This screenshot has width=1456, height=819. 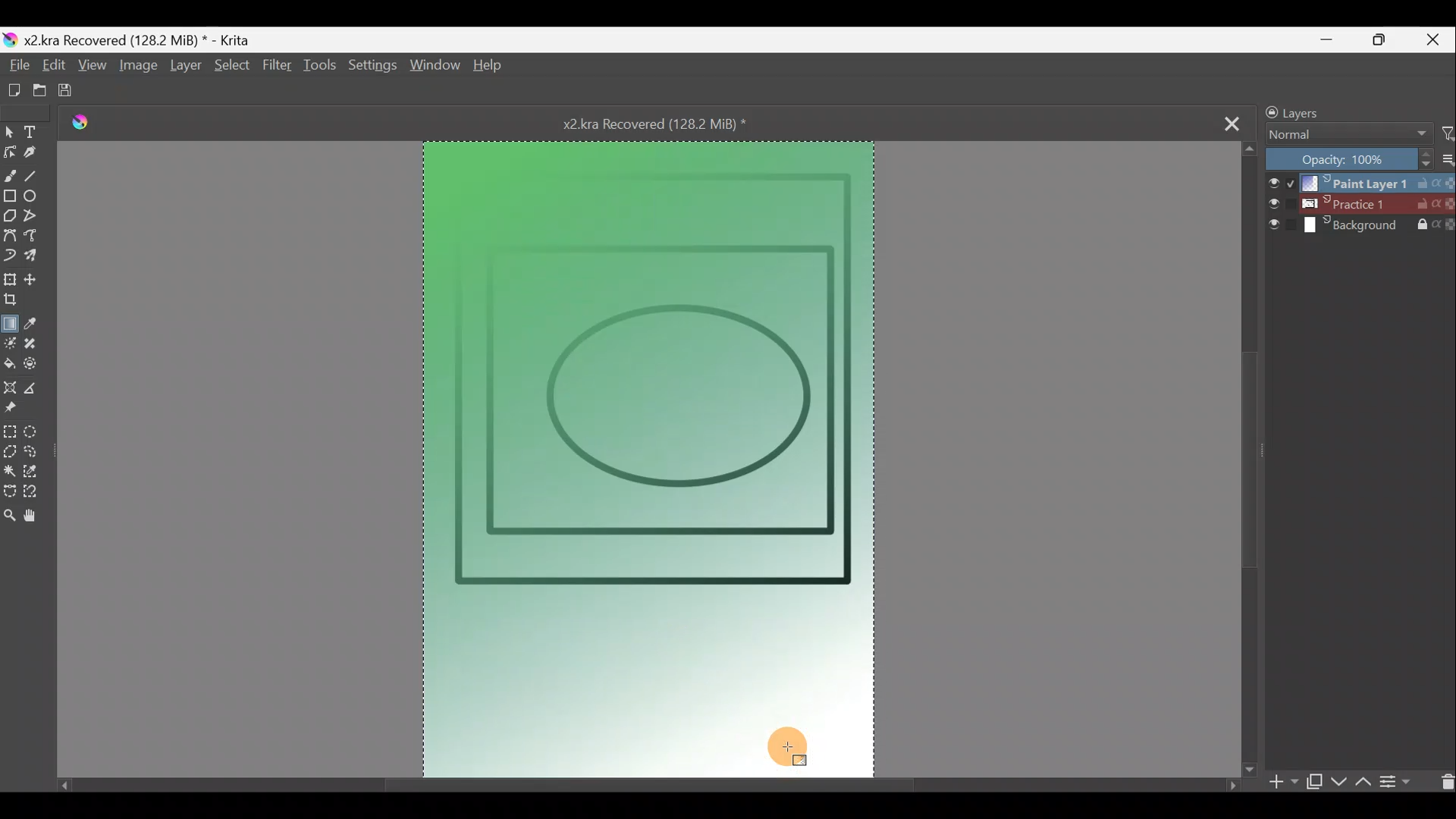 I want to click on Multibrush tool, so click(x=36, y=257).